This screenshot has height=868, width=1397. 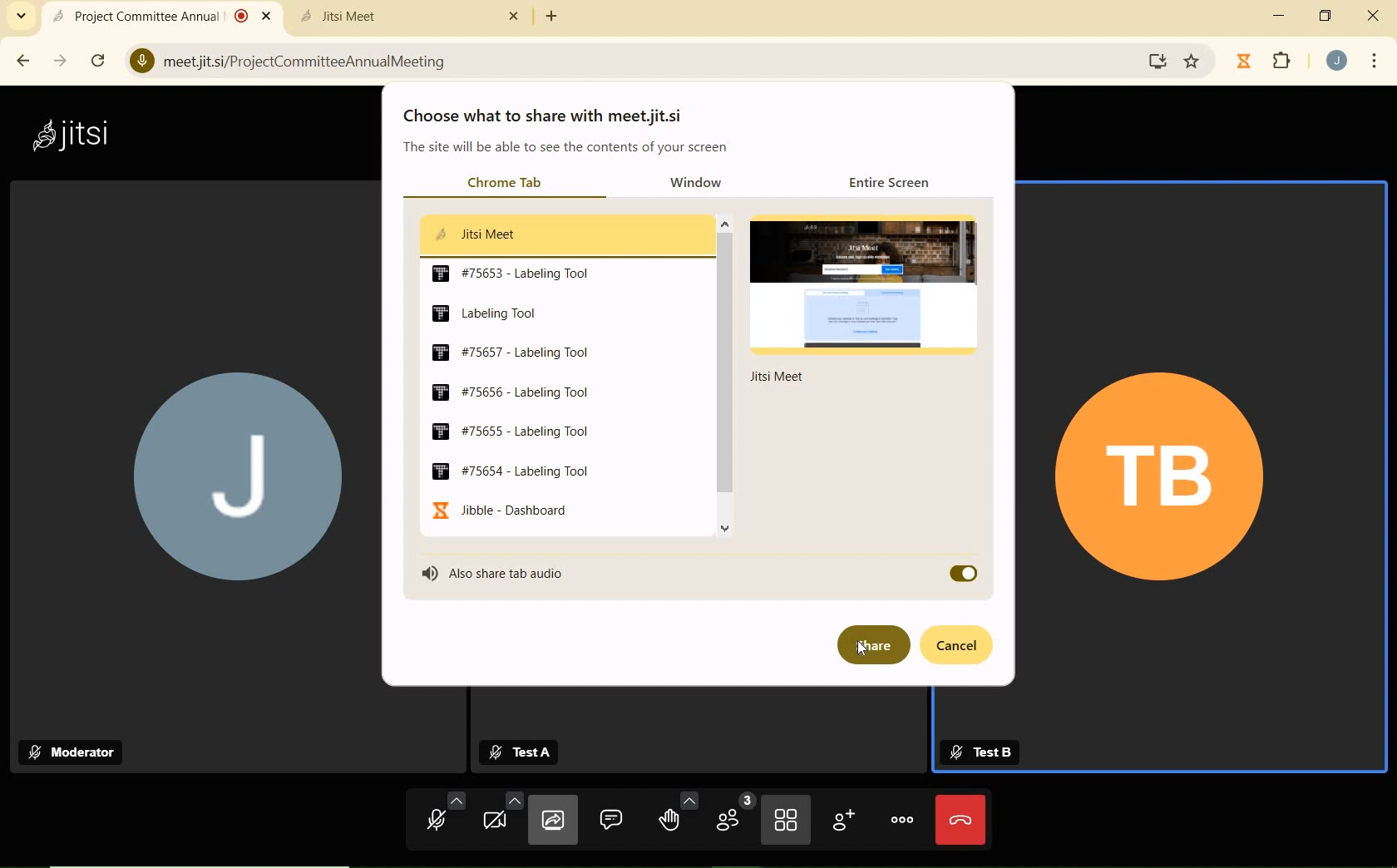 What do you see at coordinates (62, 62) in the screenshot?
I see `forward` at bounding box center [62, 62].